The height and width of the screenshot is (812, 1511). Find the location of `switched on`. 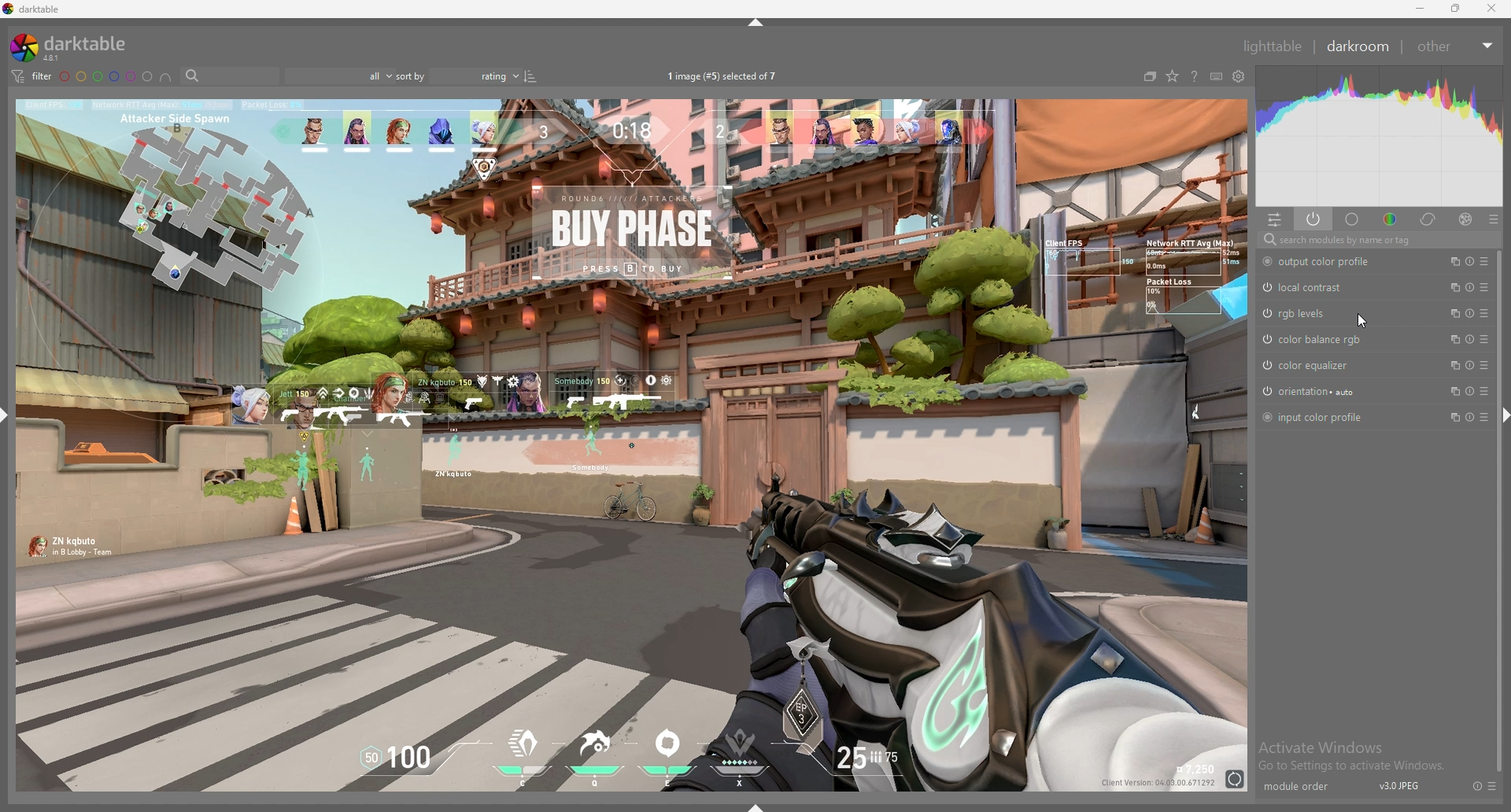

switched on is located at coordinates (1266, 262).